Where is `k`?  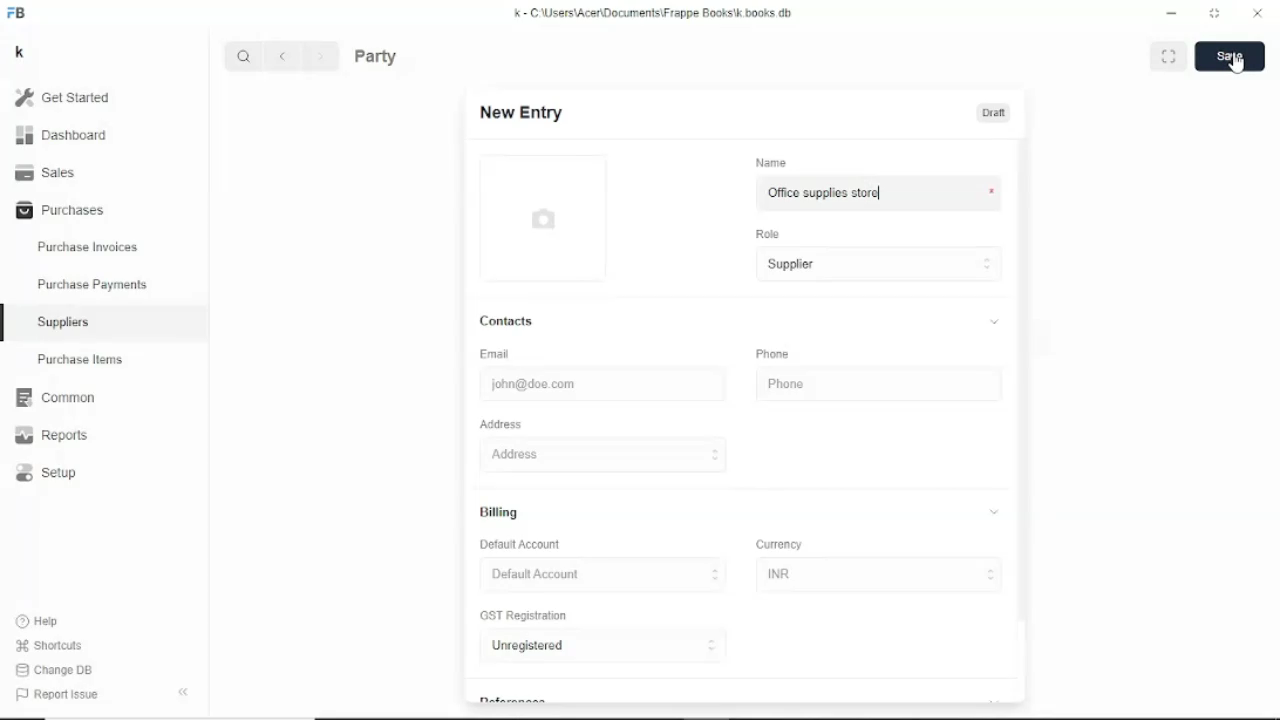 k is located at coordinates (19, 52).